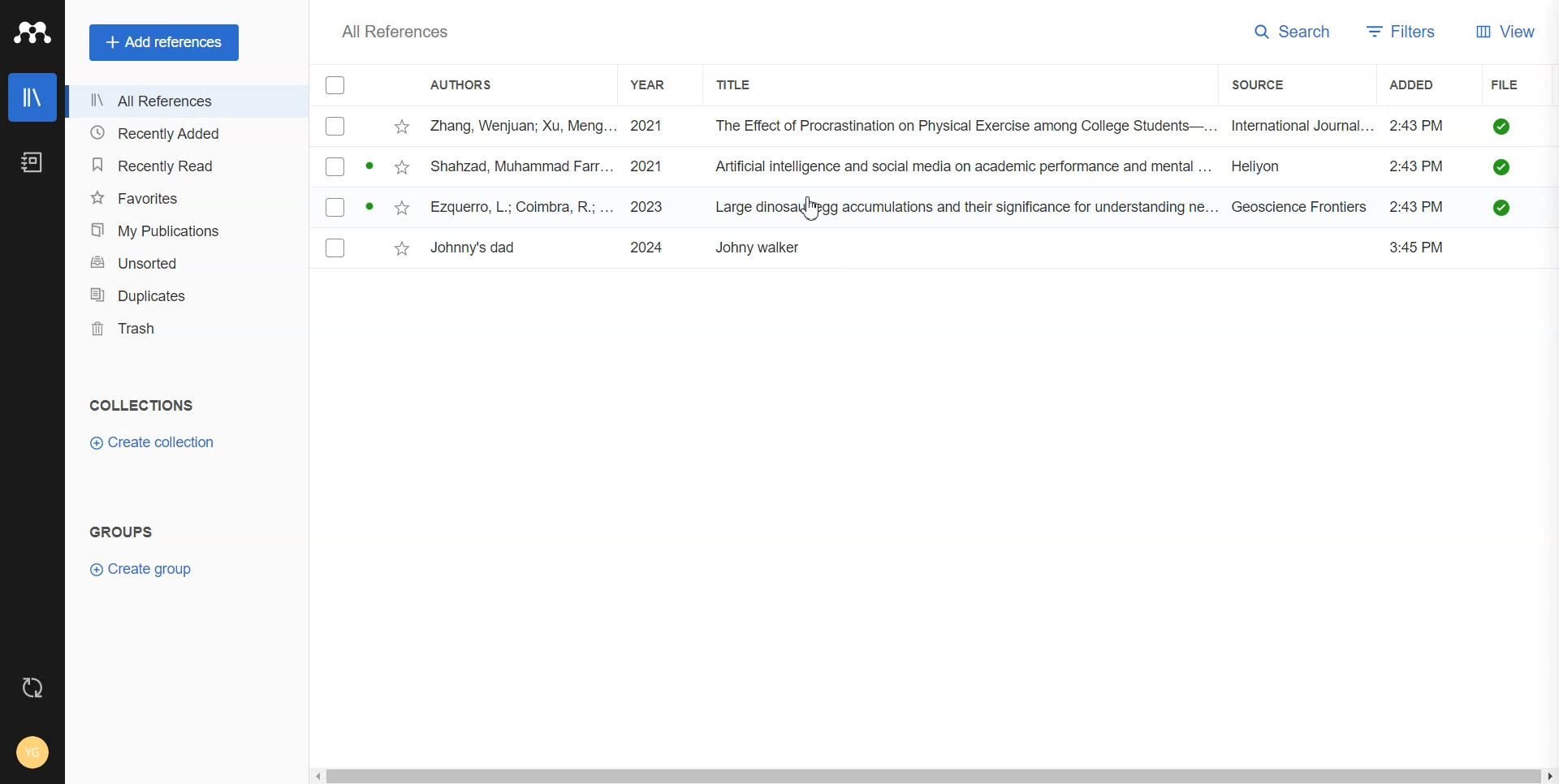  I want to click on File, so click(1519, 85).